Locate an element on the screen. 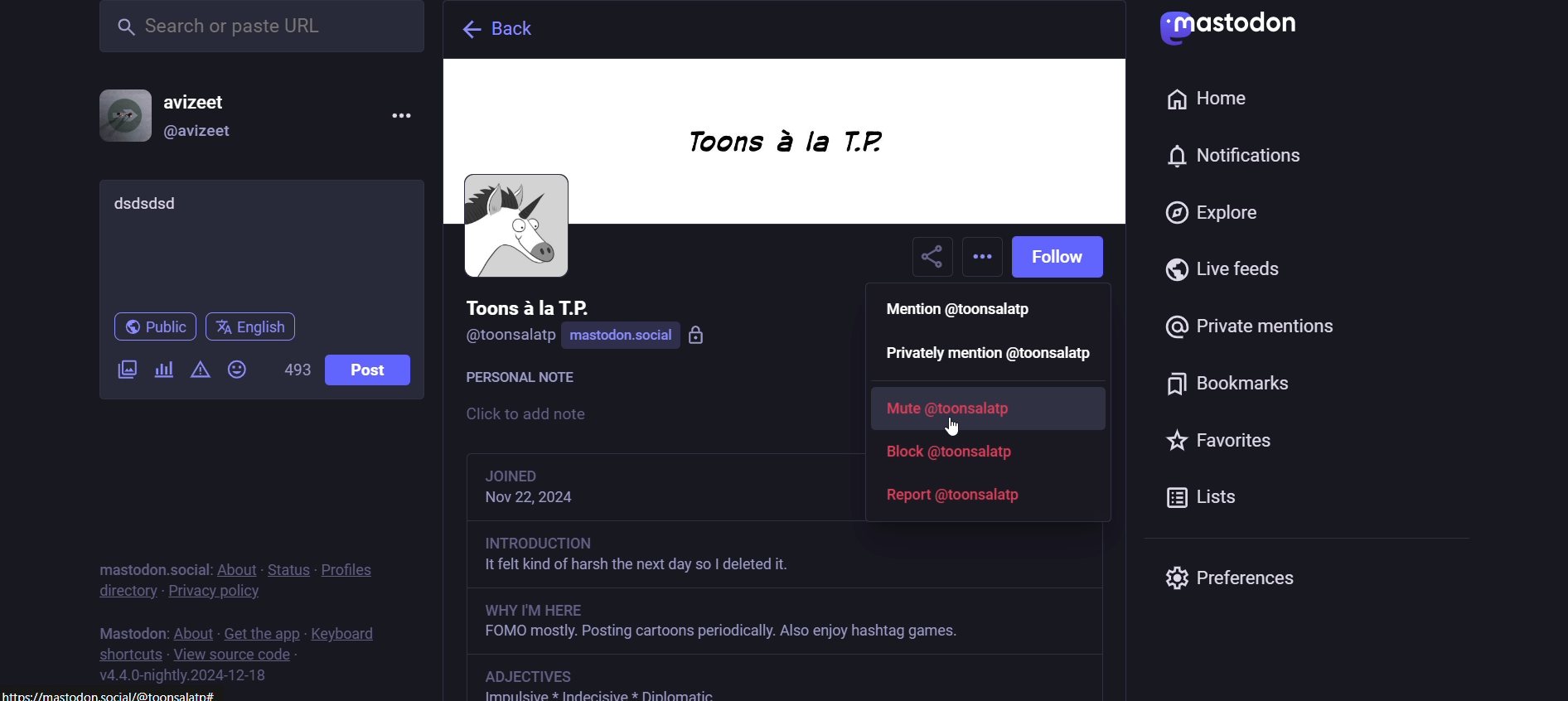  privately mention user is located at coordinates (991, 354).